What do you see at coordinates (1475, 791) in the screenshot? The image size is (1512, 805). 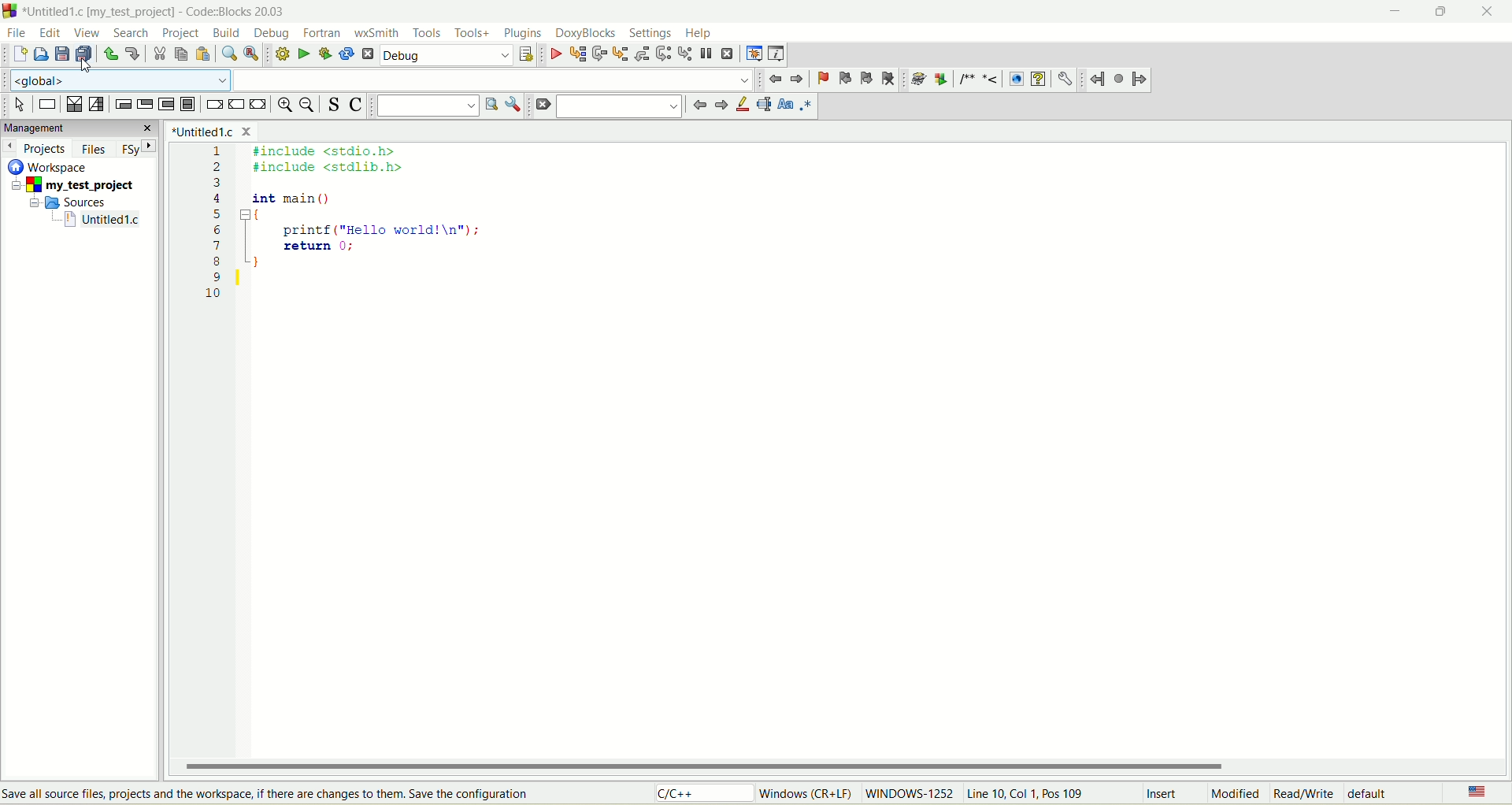 I see `language` at bounding box center [1475, 791].